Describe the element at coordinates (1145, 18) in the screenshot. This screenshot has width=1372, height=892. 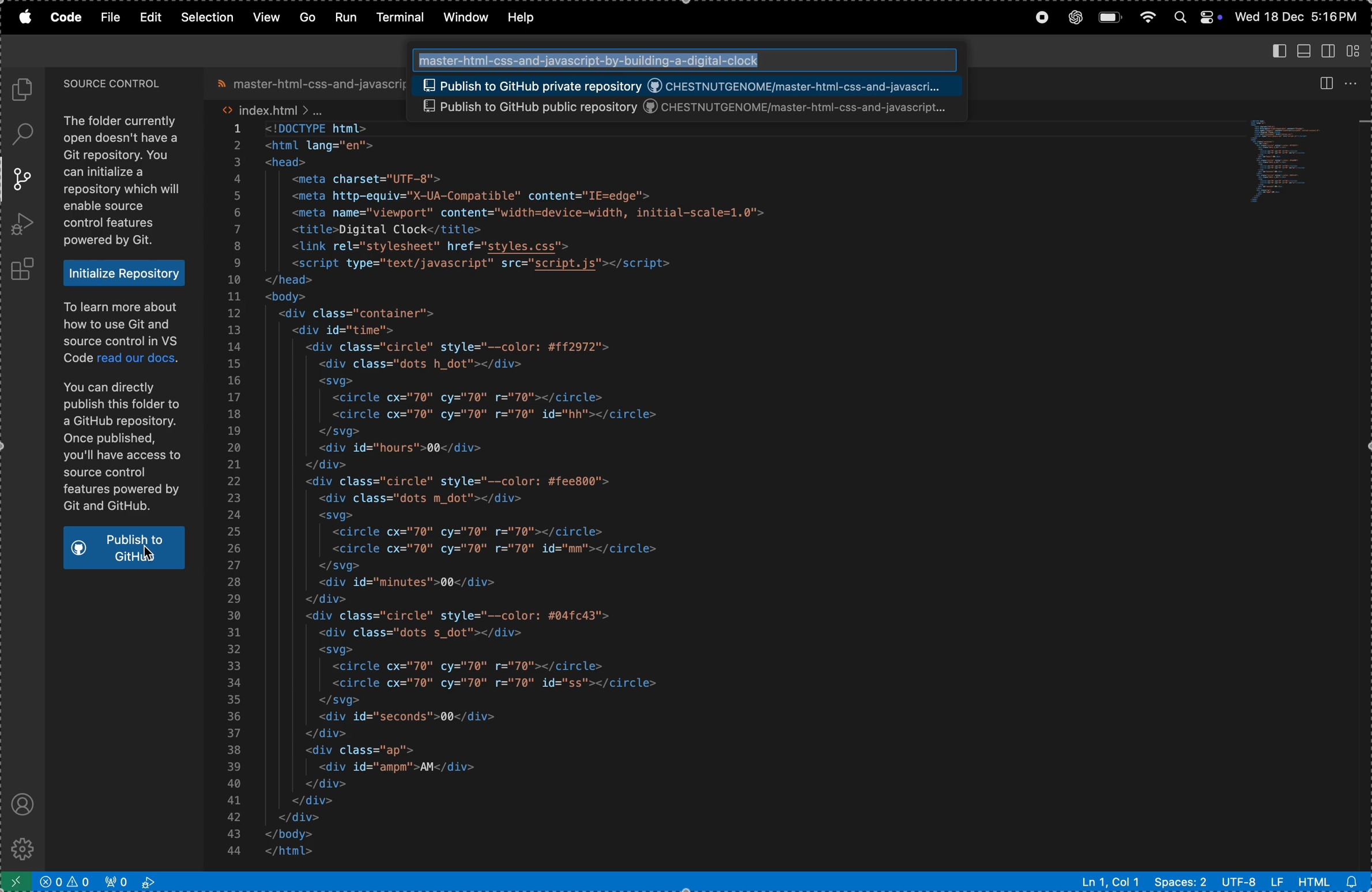
I see `wifi` at that location.